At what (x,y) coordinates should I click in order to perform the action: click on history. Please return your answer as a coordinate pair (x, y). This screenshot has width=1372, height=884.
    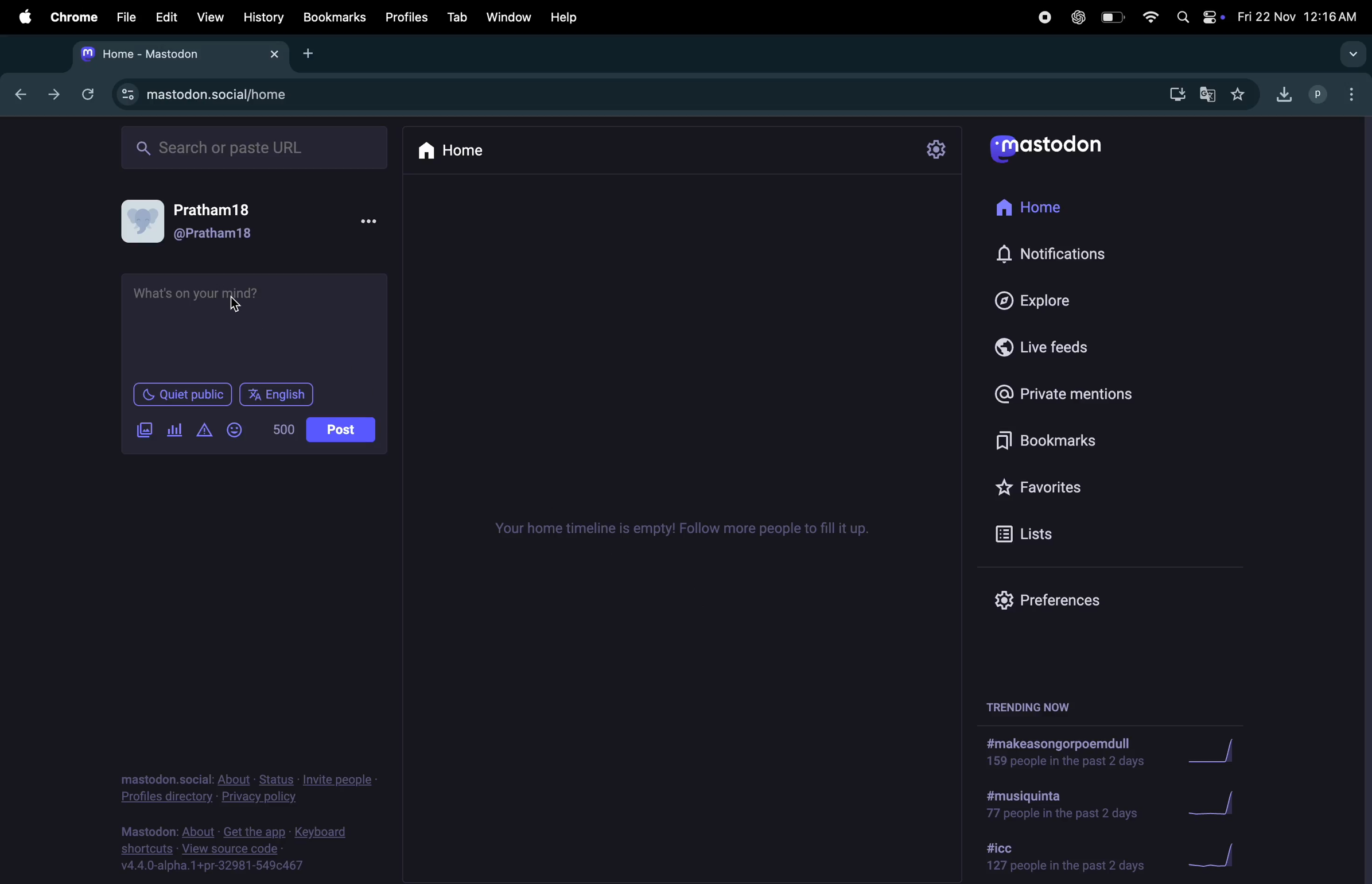
    Looking at the image, I should click on (265, 18).